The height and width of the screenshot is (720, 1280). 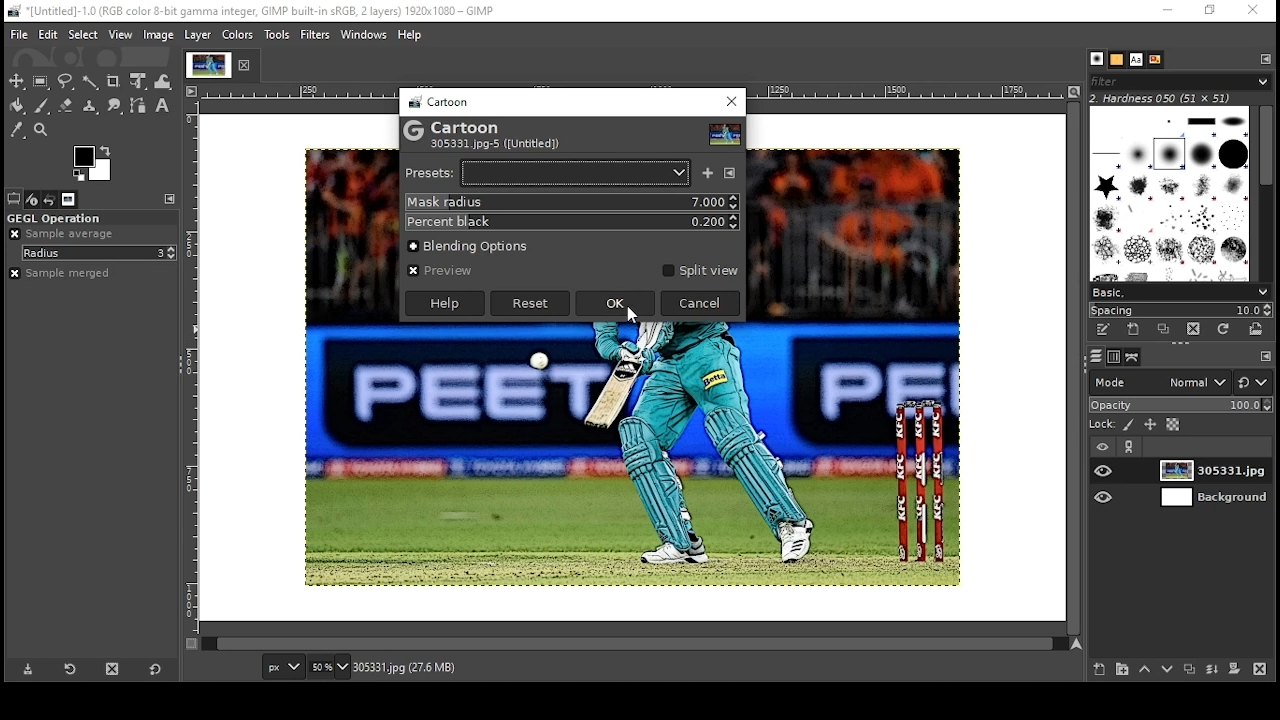 I want to click on edit this brush, so click(x=1104, y=329).